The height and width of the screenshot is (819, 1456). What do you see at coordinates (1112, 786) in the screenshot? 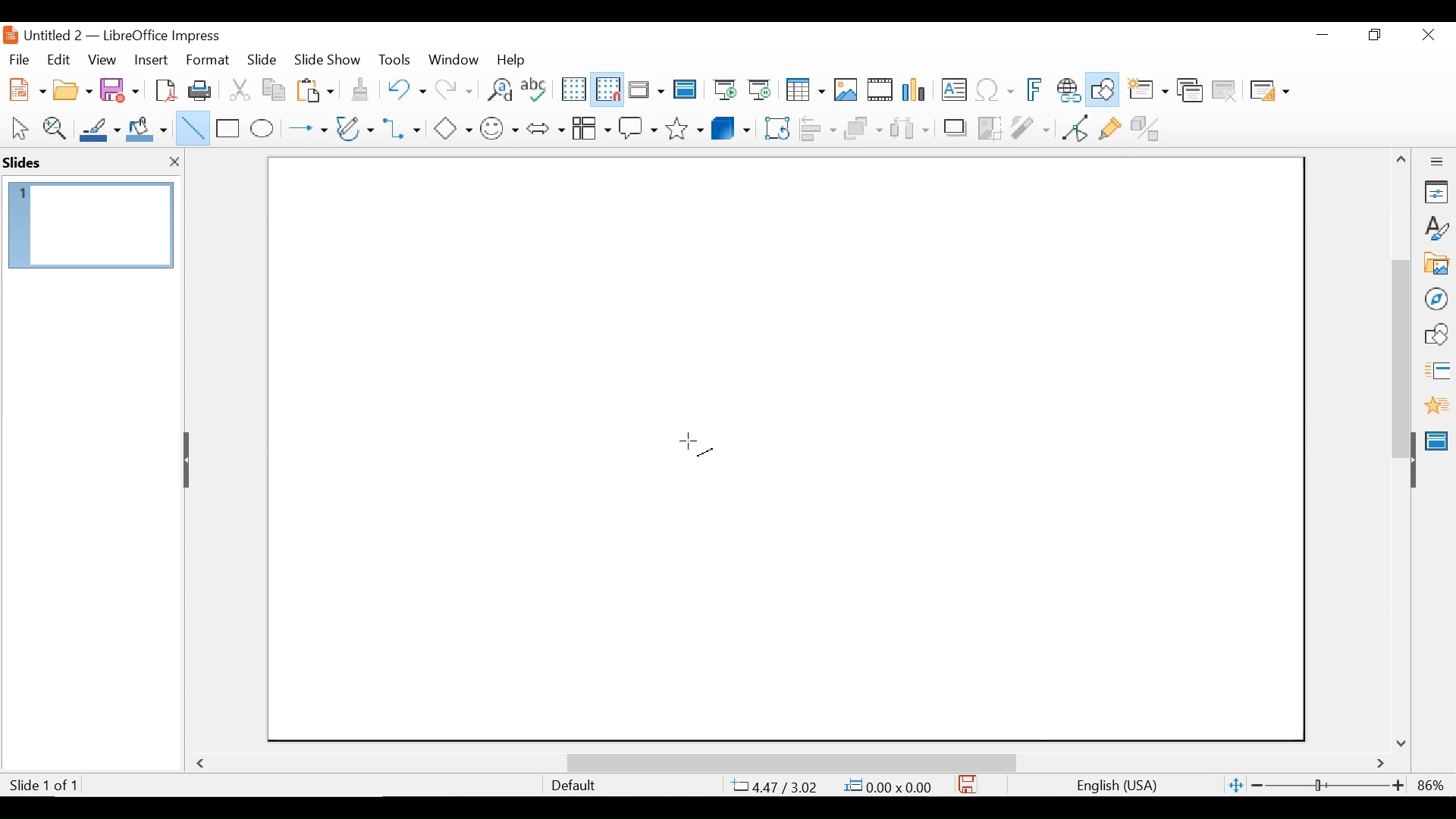
I see `English(USA)` at bounding box center [1112, 786].